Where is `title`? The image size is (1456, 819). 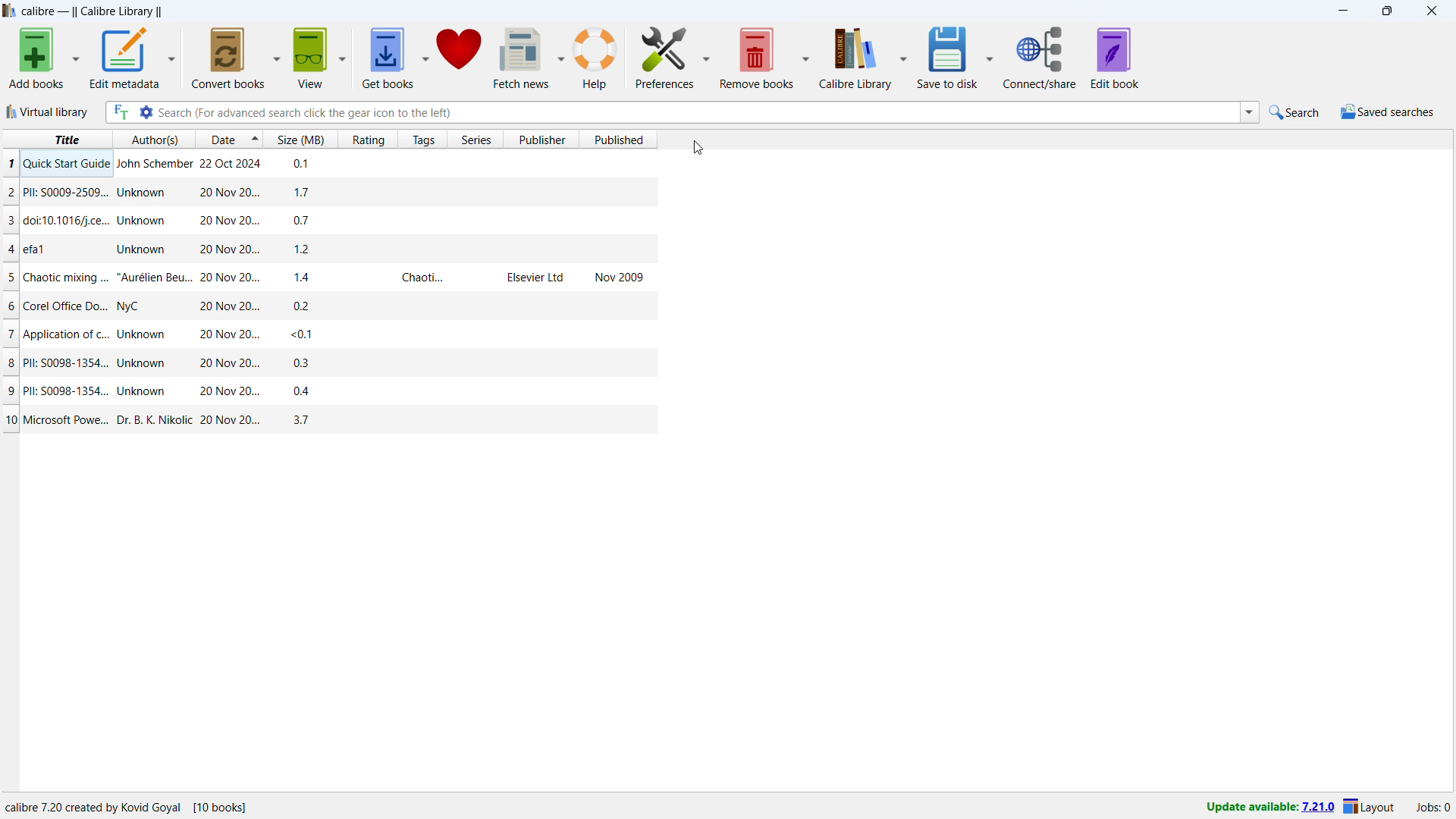
title is located at coordinates (92, 11).